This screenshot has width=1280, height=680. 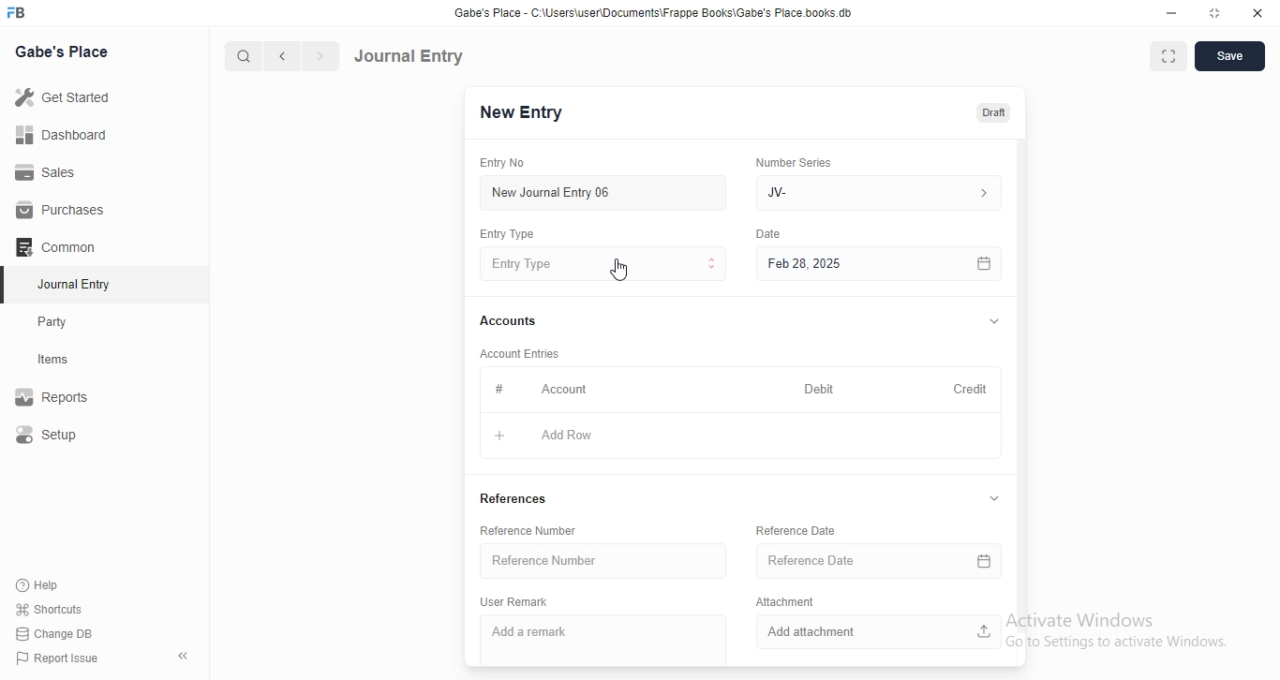 I want to click on collapse, so click(x=993, y=323).